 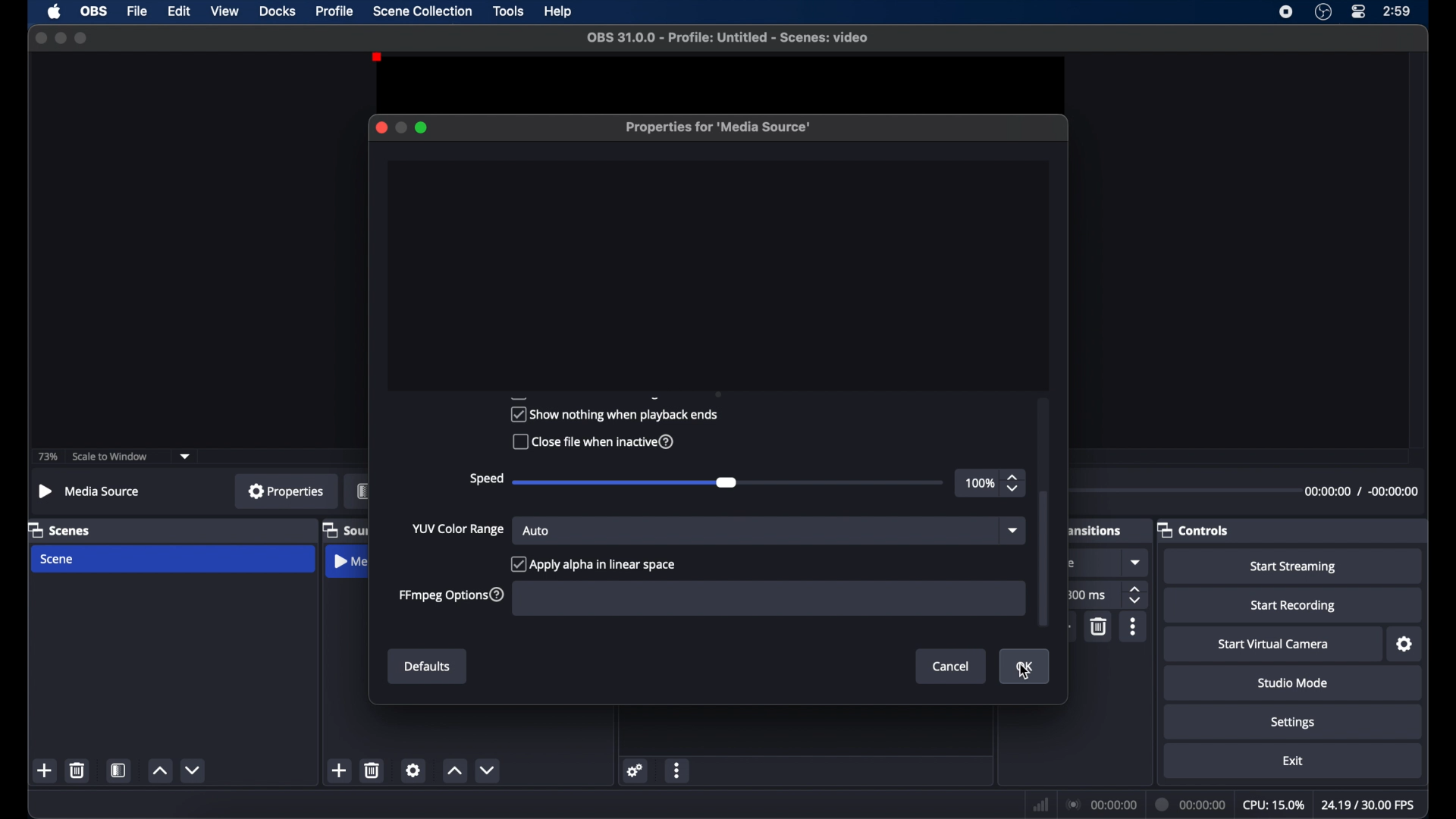 What do you see at coordinates (278, 12) in the screenshot?
I see `docks` at bounding box center [278, 12].